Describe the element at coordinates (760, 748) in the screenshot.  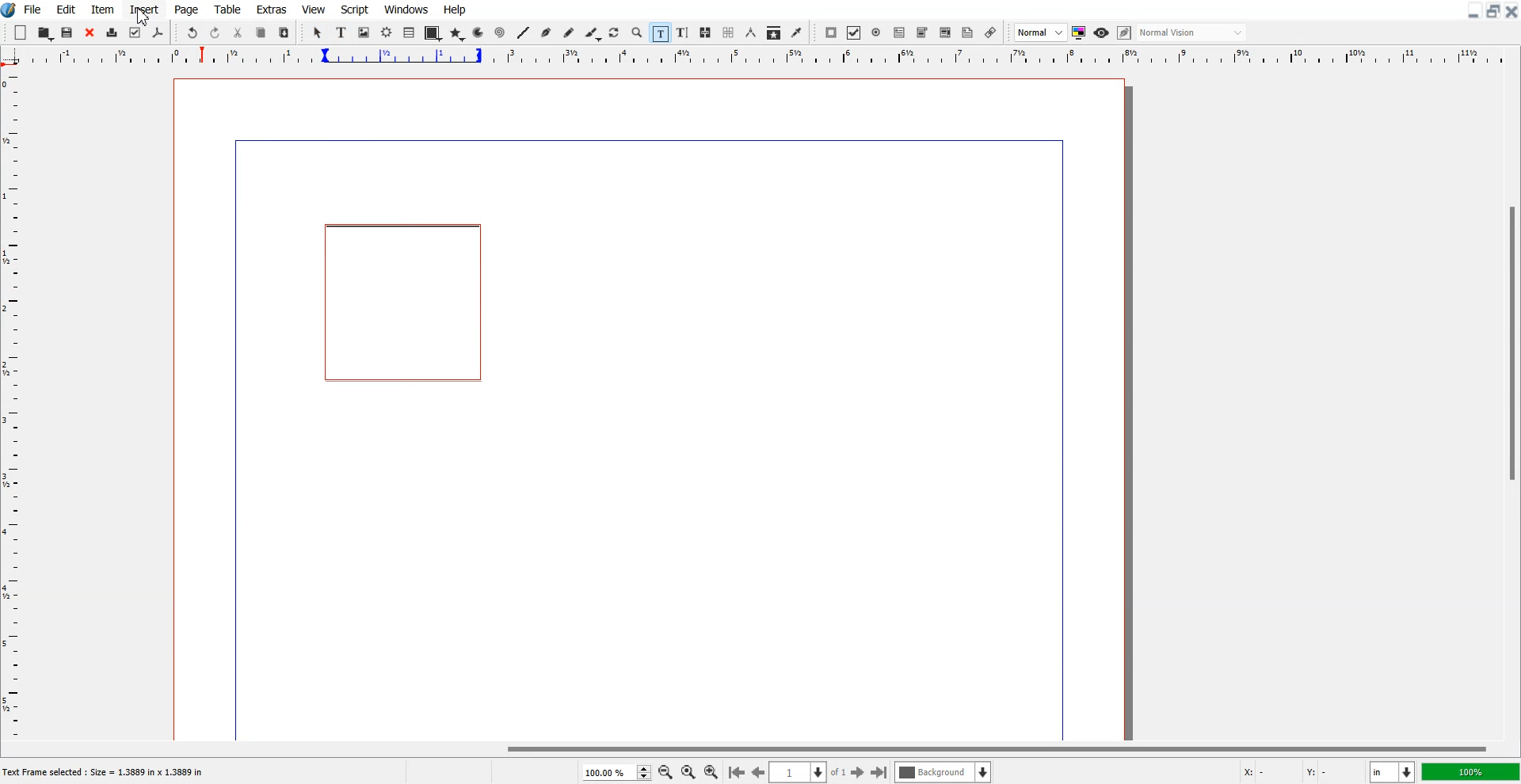
I see `Horizontal scroll bar` at that location.